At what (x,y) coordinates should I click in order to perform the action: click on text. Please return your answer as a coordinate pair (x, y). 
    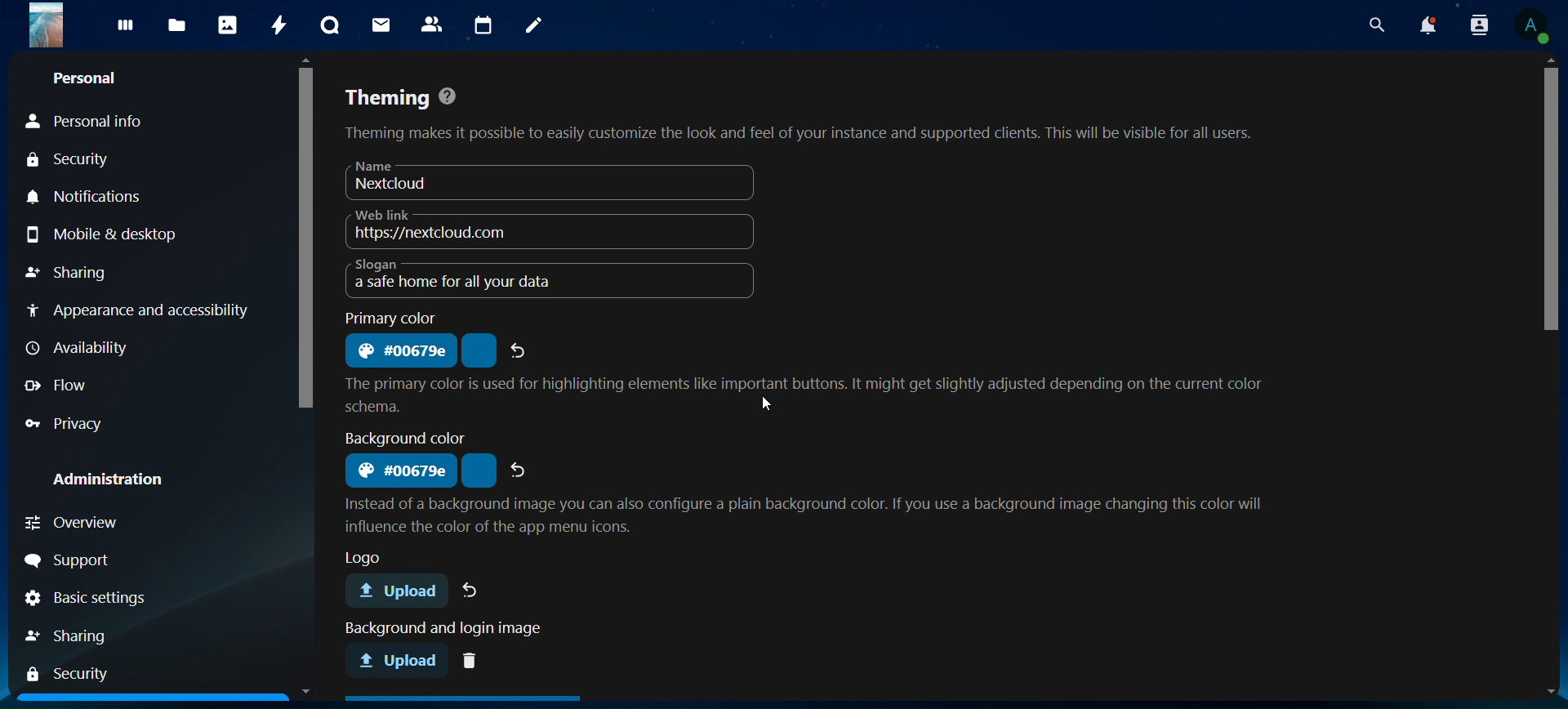
    Looking at the image, I should click on (369, 558).